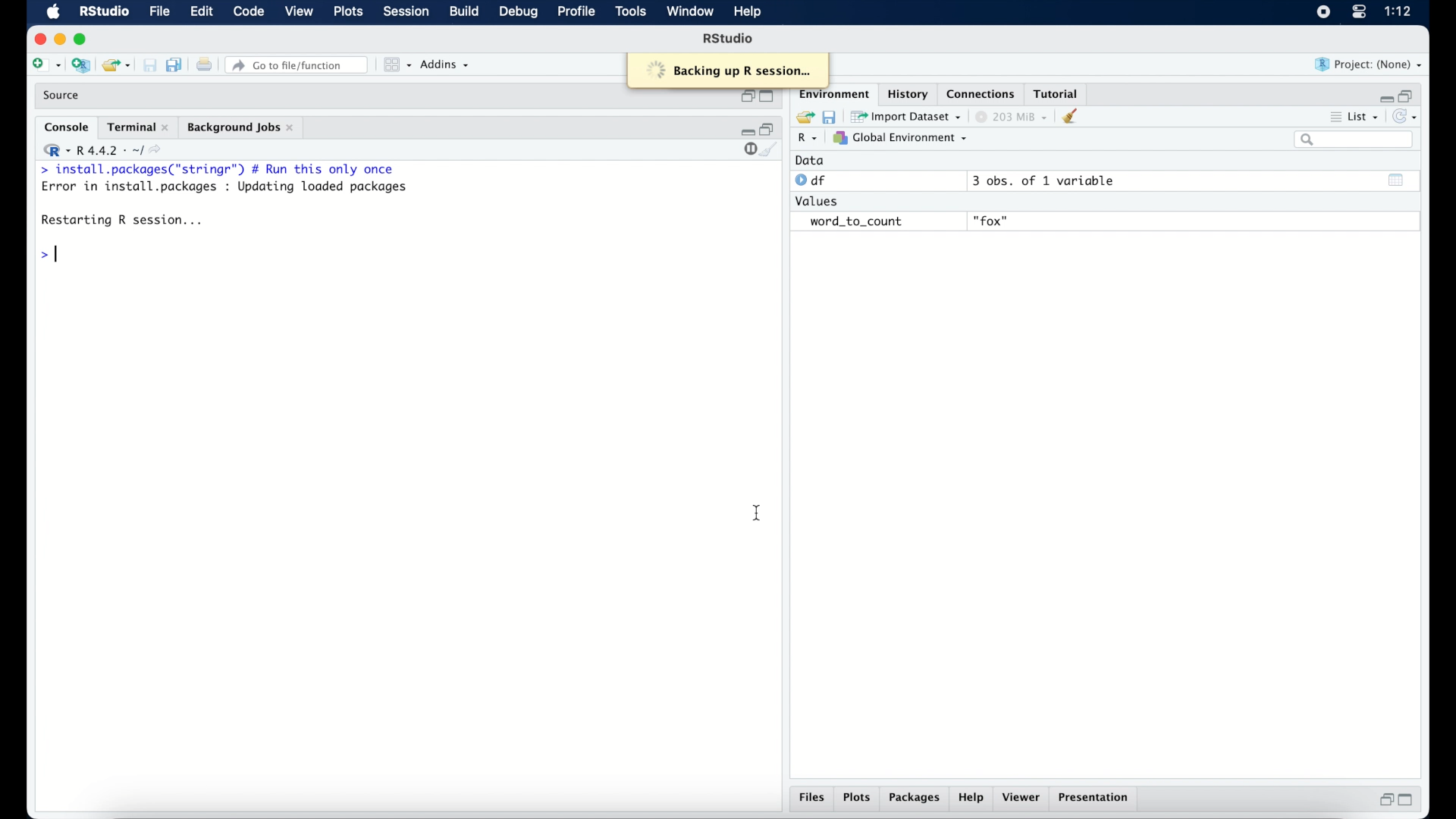  What do you see at coordinates (1384, 799) in the screenshot?
I see `restore down` at bounding box center [1384, 799].